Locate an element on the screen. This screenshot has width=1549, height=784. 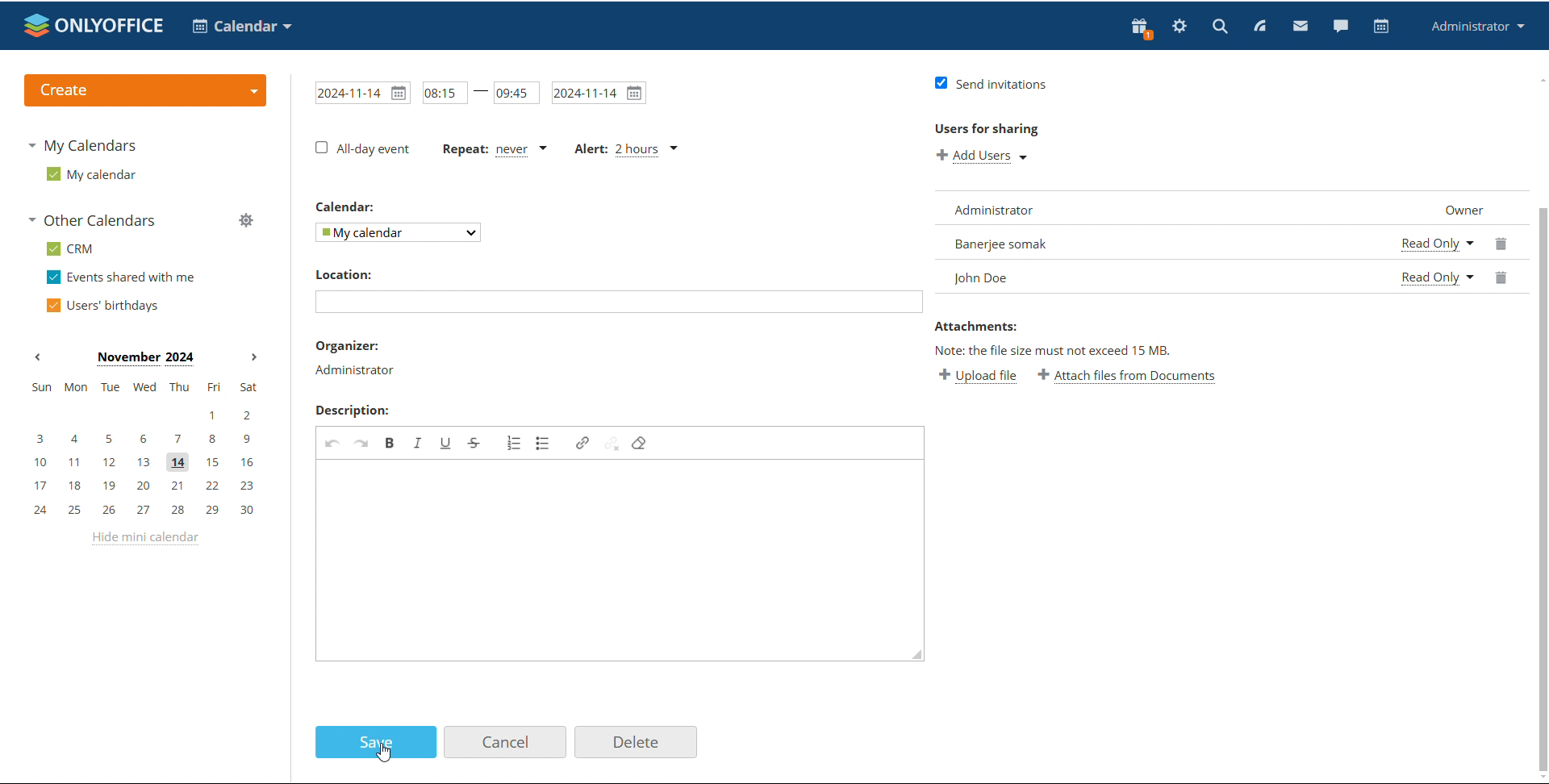
create is located at coordinates (145, 90).